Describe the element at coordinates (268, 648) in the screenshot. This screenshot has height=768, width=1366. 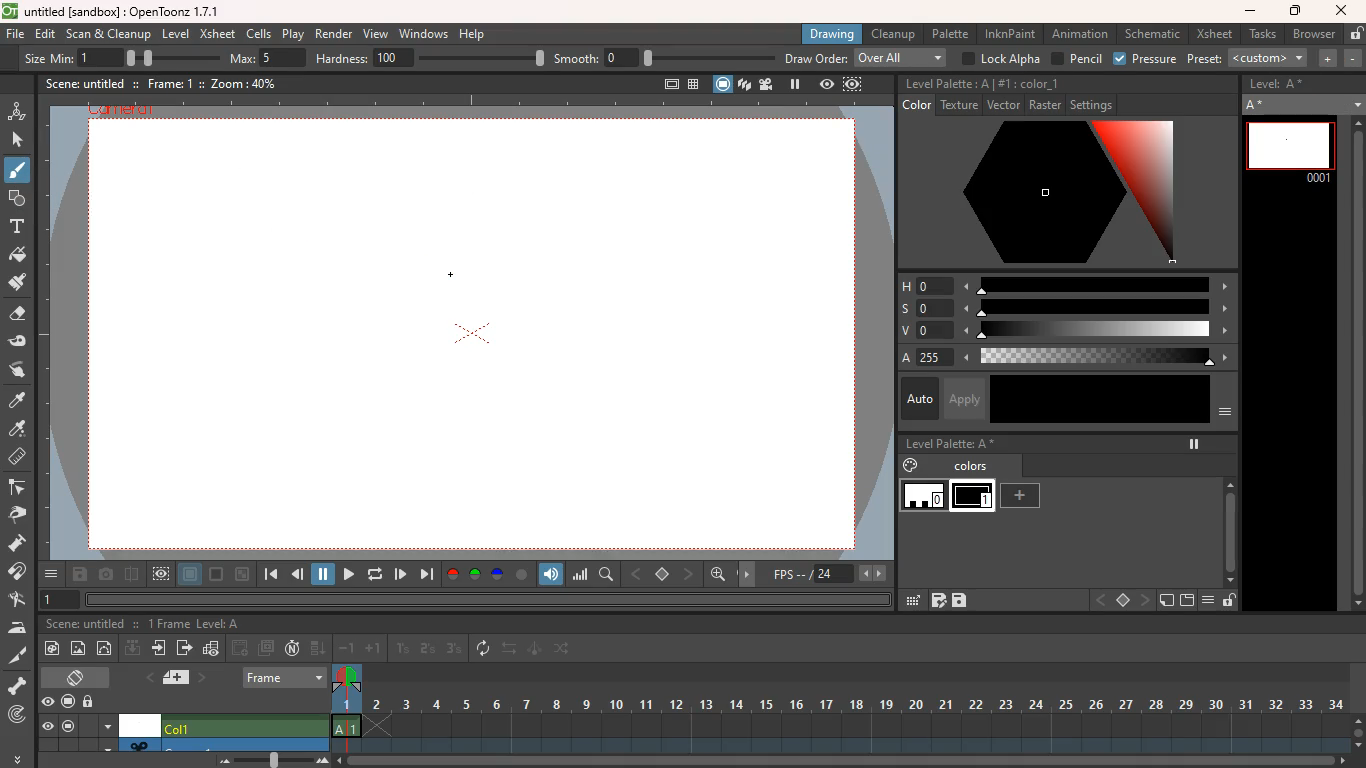
I see `screens` at that location.